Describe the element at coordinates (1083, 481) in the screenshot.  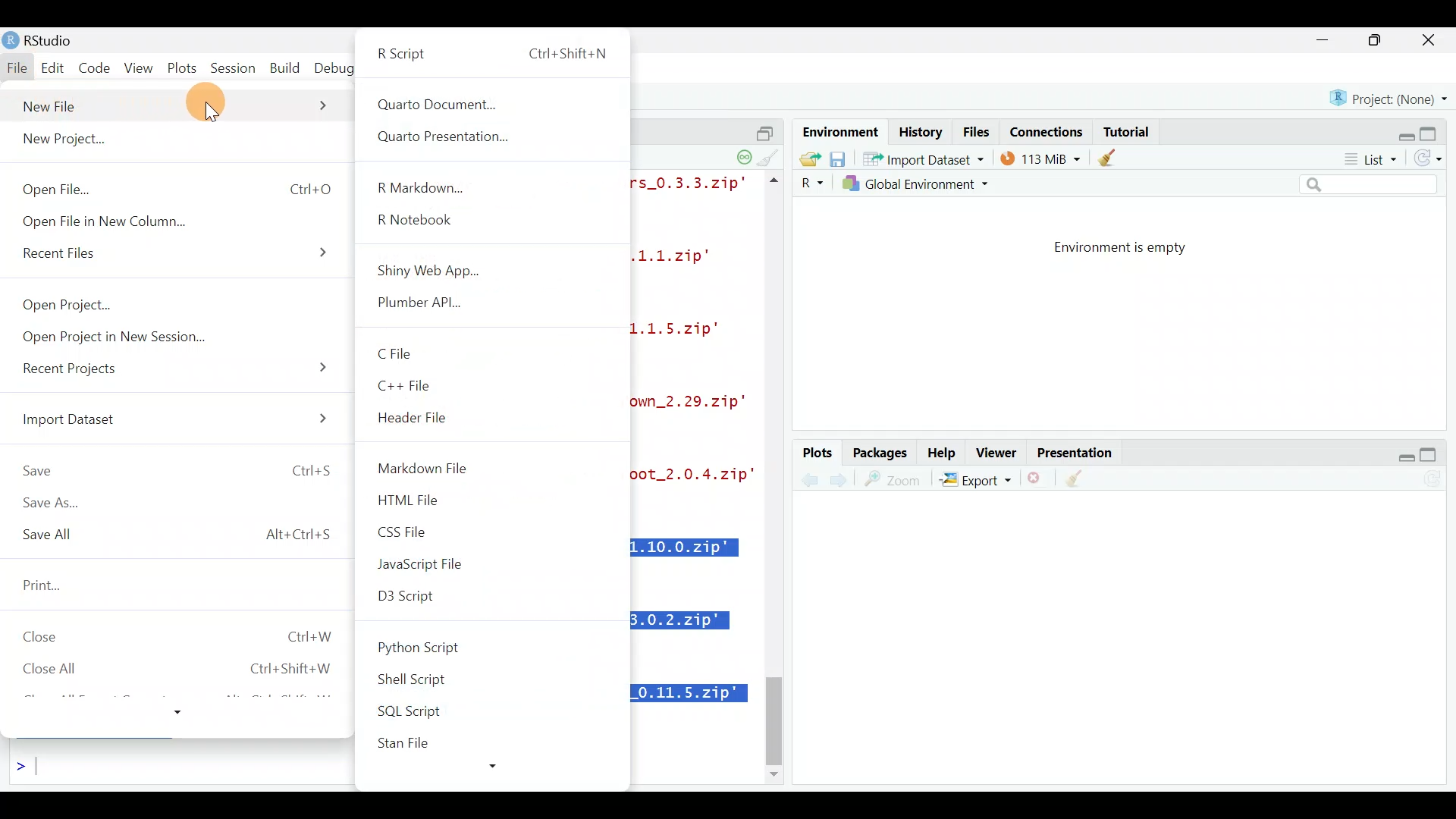
I see `clear all plots` at that location.